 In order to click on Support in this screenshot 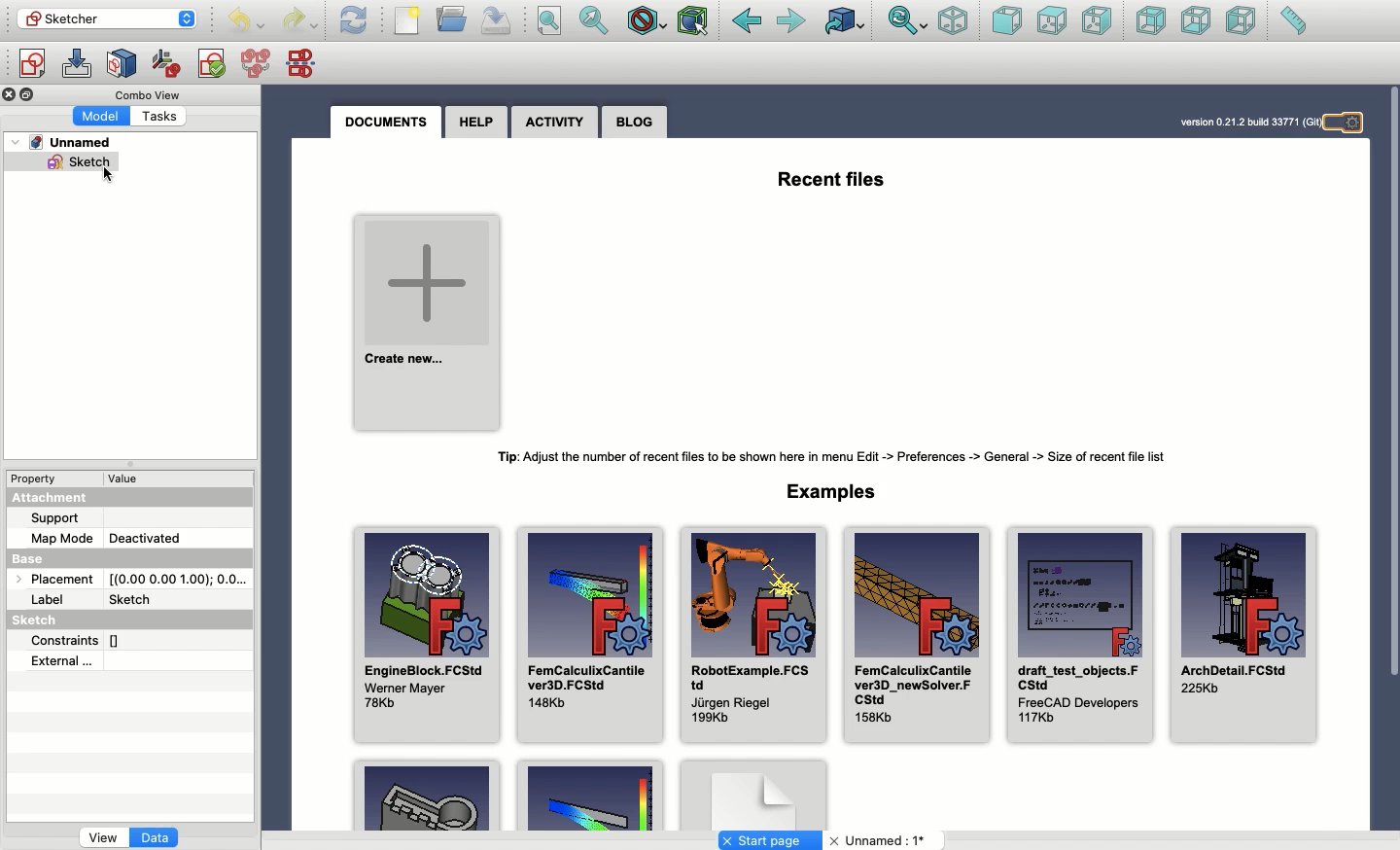, I will do `click(64, 518)`.